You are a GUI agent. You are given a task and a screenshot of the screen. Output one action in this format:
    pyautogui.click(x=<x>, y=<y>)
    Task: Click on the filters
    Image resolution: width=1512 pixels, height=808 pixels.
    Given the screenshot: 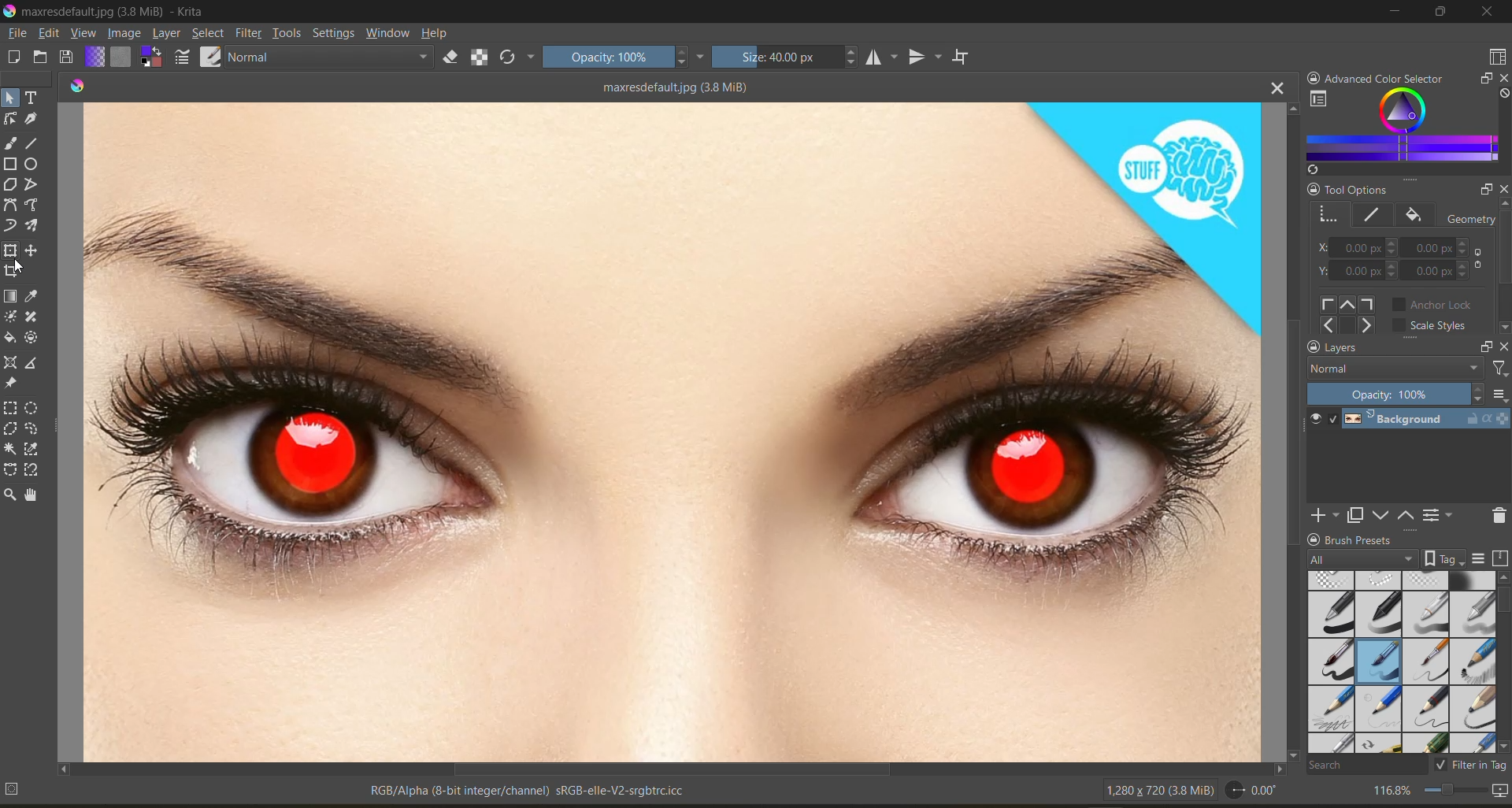 What is the action you would take?
    pyautogui.click(x=250, y=34)
    